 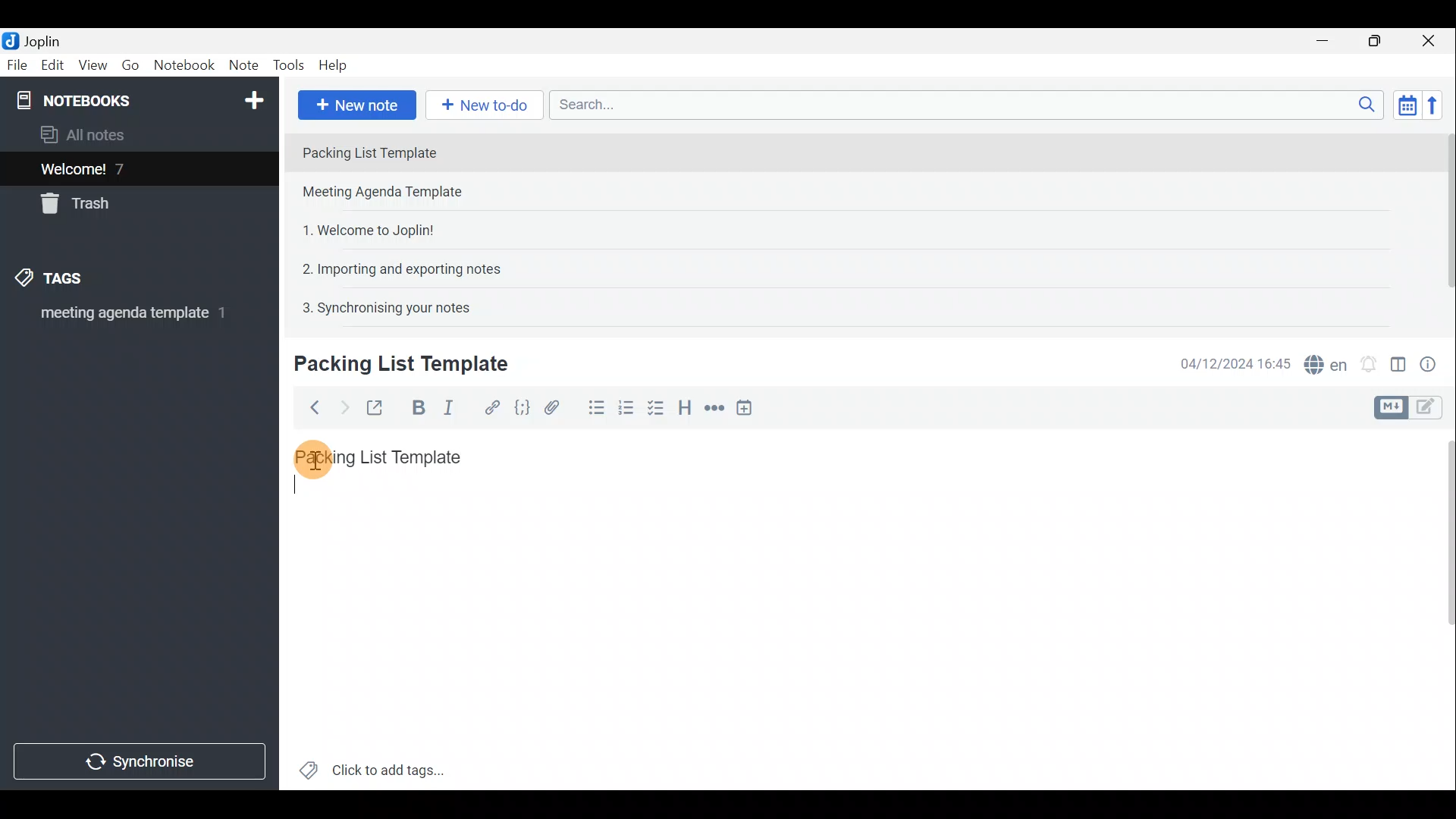 I want to click on Note, so click(x=243, y=66).